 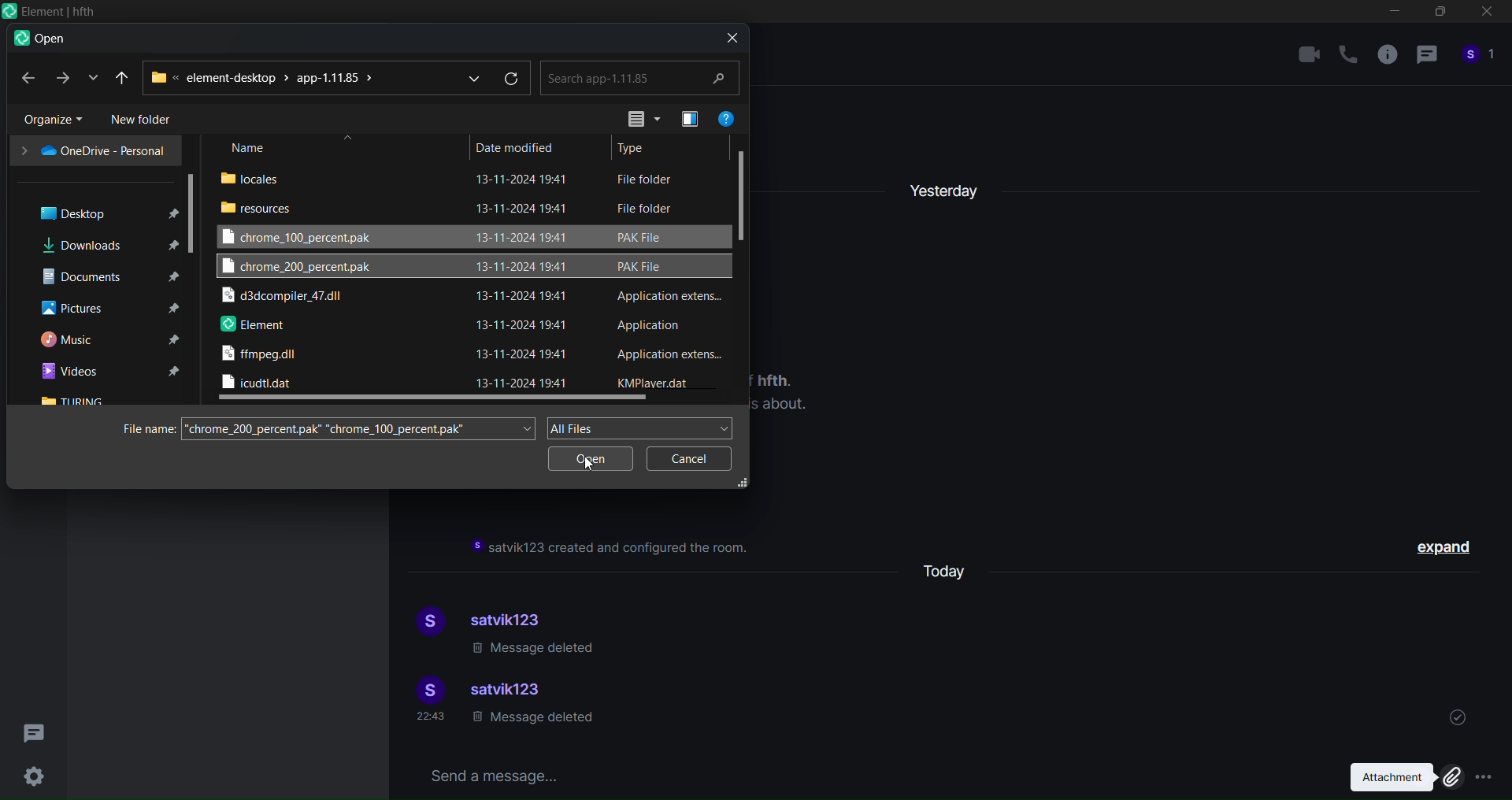 I want to click on instruction, so click(x=613, y=548).